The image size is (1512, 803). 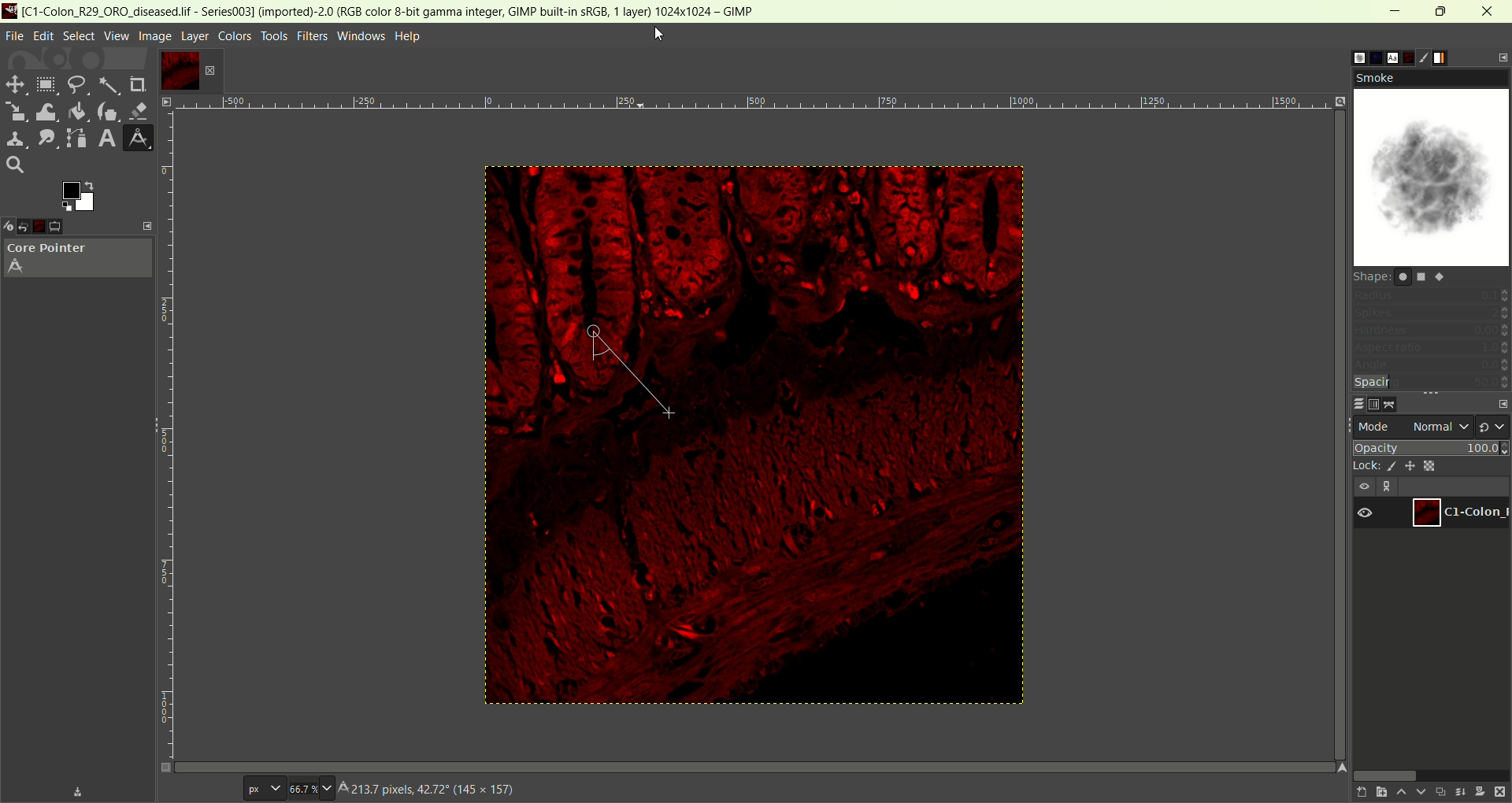 I want to click on font, so click(x=1385, y=57).